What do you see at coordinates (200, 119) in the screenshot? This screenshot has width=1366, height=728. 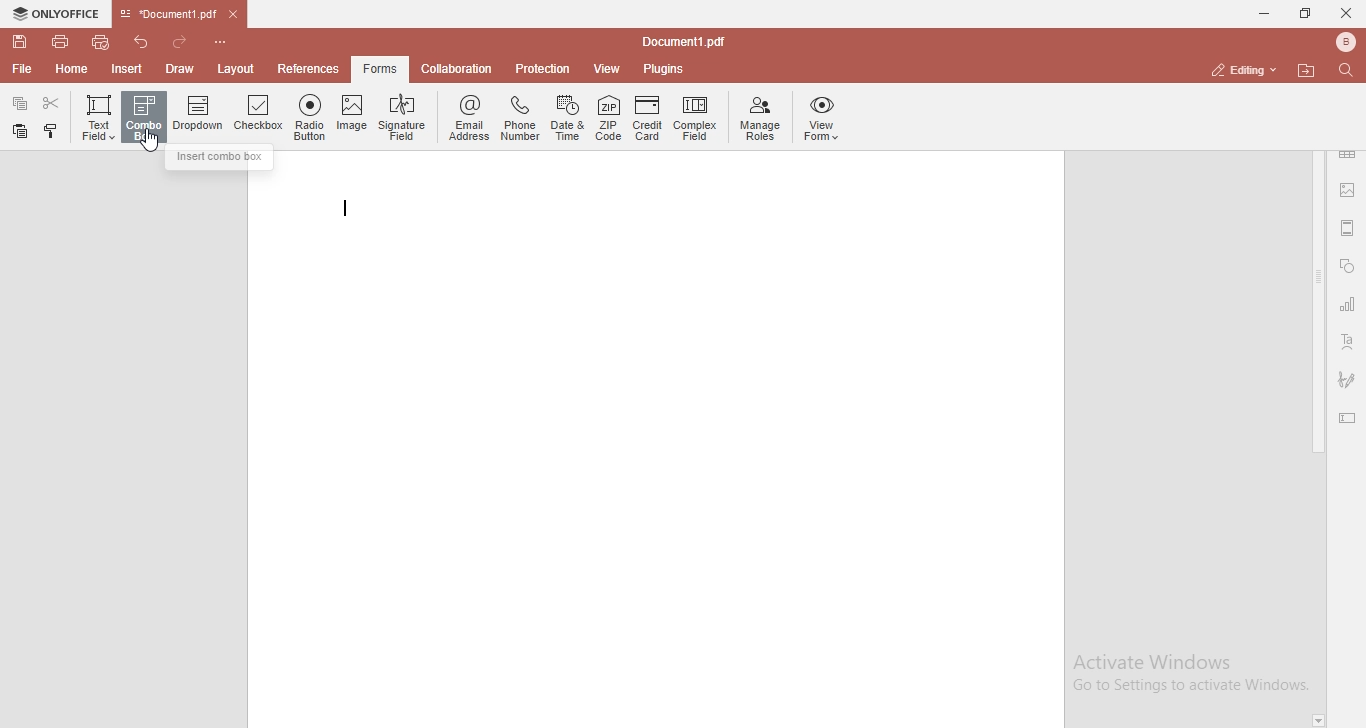 I see `dropdown` at bounding box center [200, 119].